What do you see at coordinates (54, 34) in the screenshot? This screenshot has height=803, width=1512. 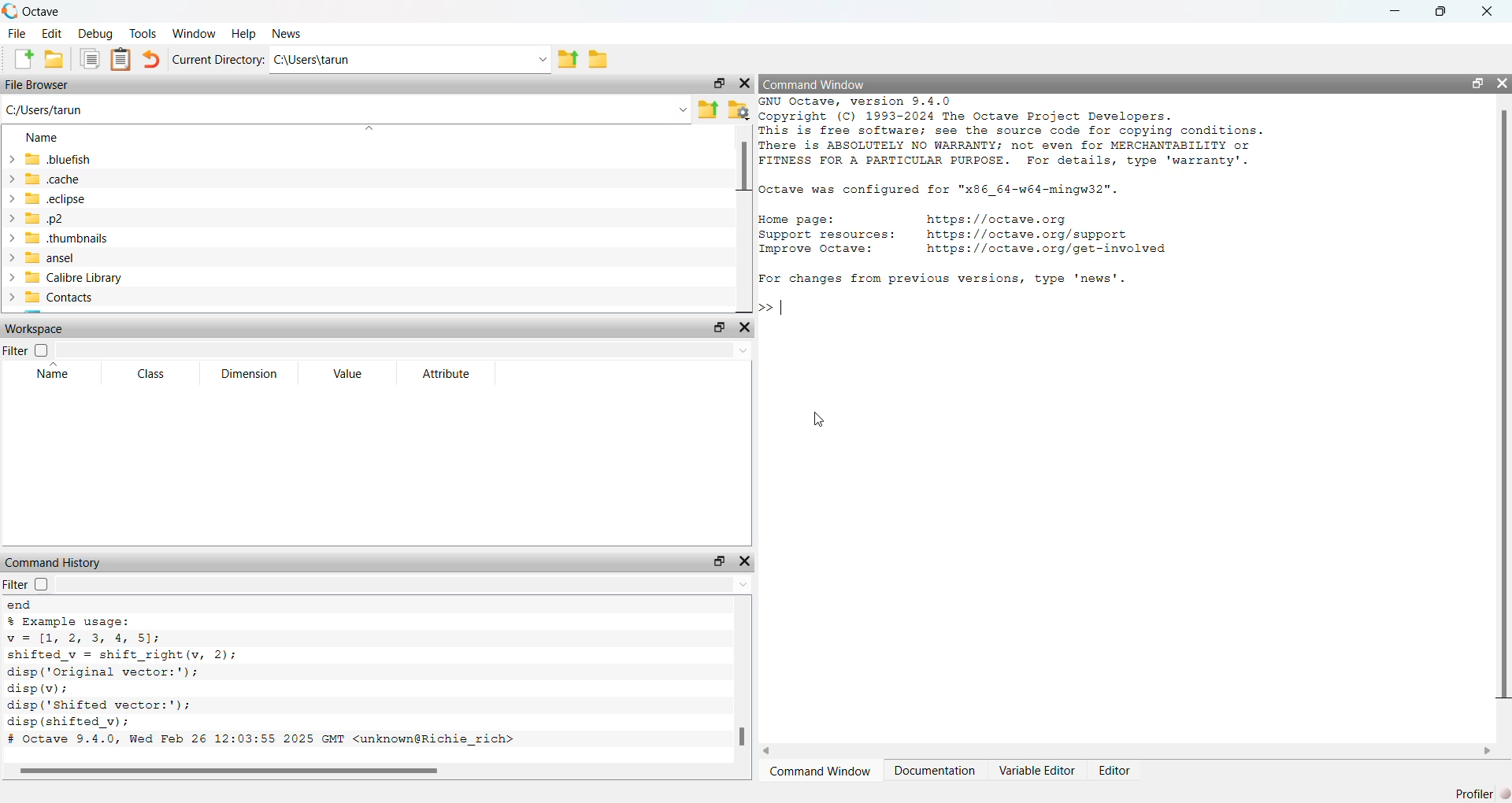 I see `edit` at bounding box center [54, 34].